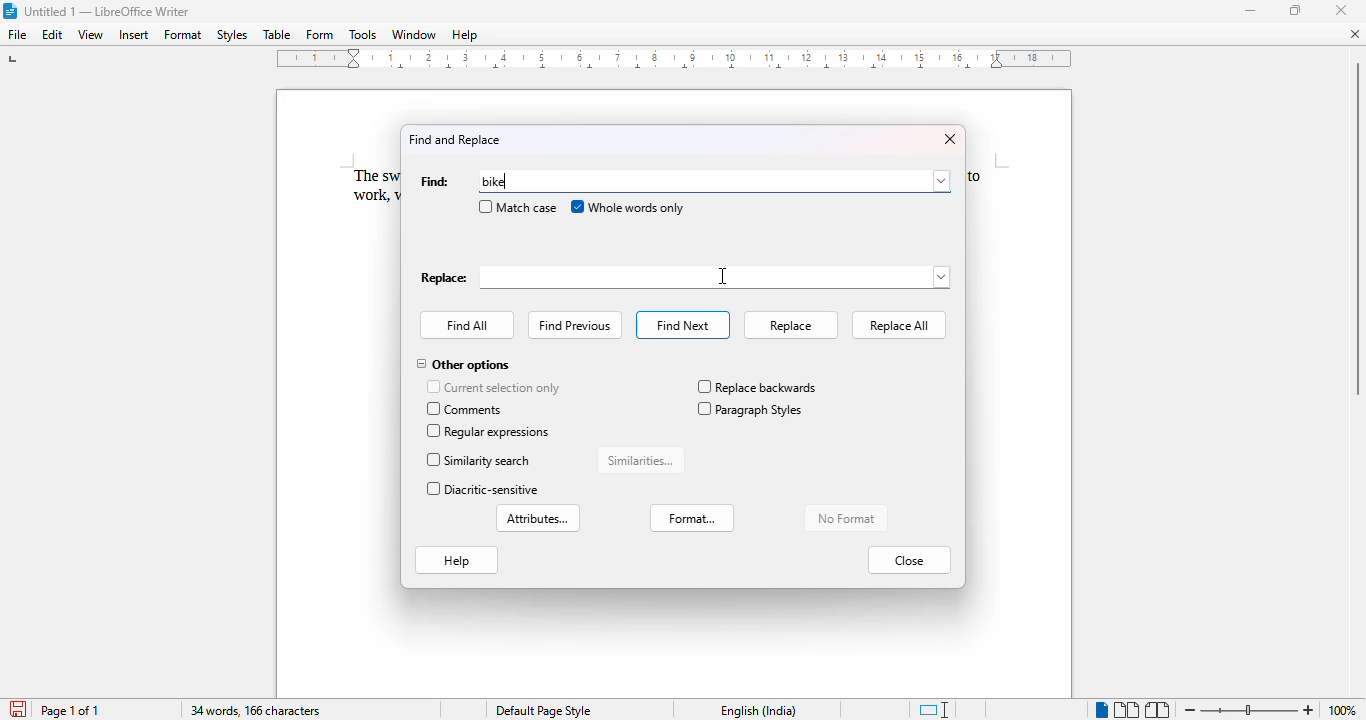 Image resolution: width=1366 pixels, height=720 pixels. Describe the element at coordinates (908, 560) in the screenshot. I see `close` at that location.